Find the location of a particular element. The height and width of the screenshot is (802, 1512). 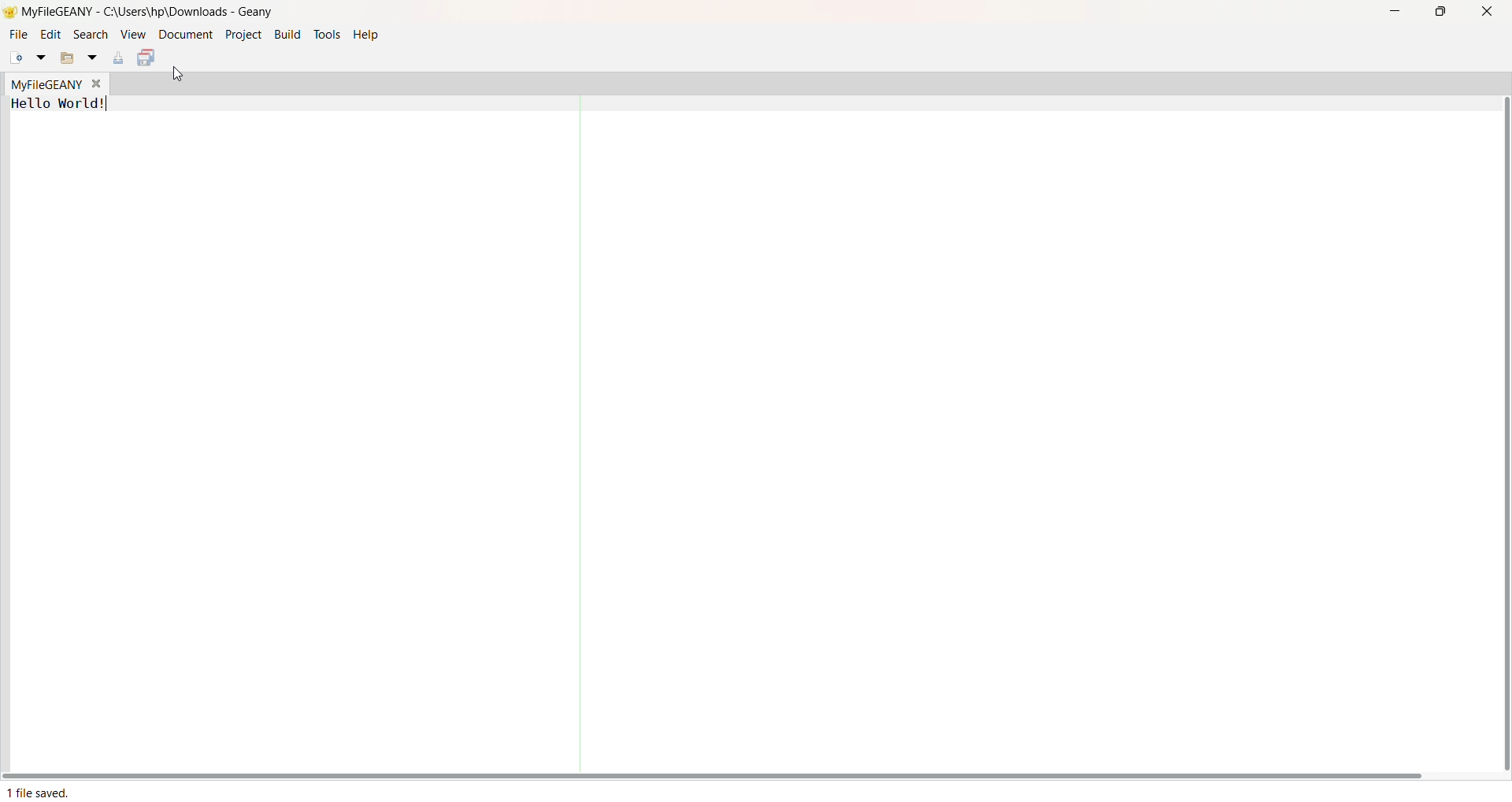

New File is located at coordinates (17, 57).